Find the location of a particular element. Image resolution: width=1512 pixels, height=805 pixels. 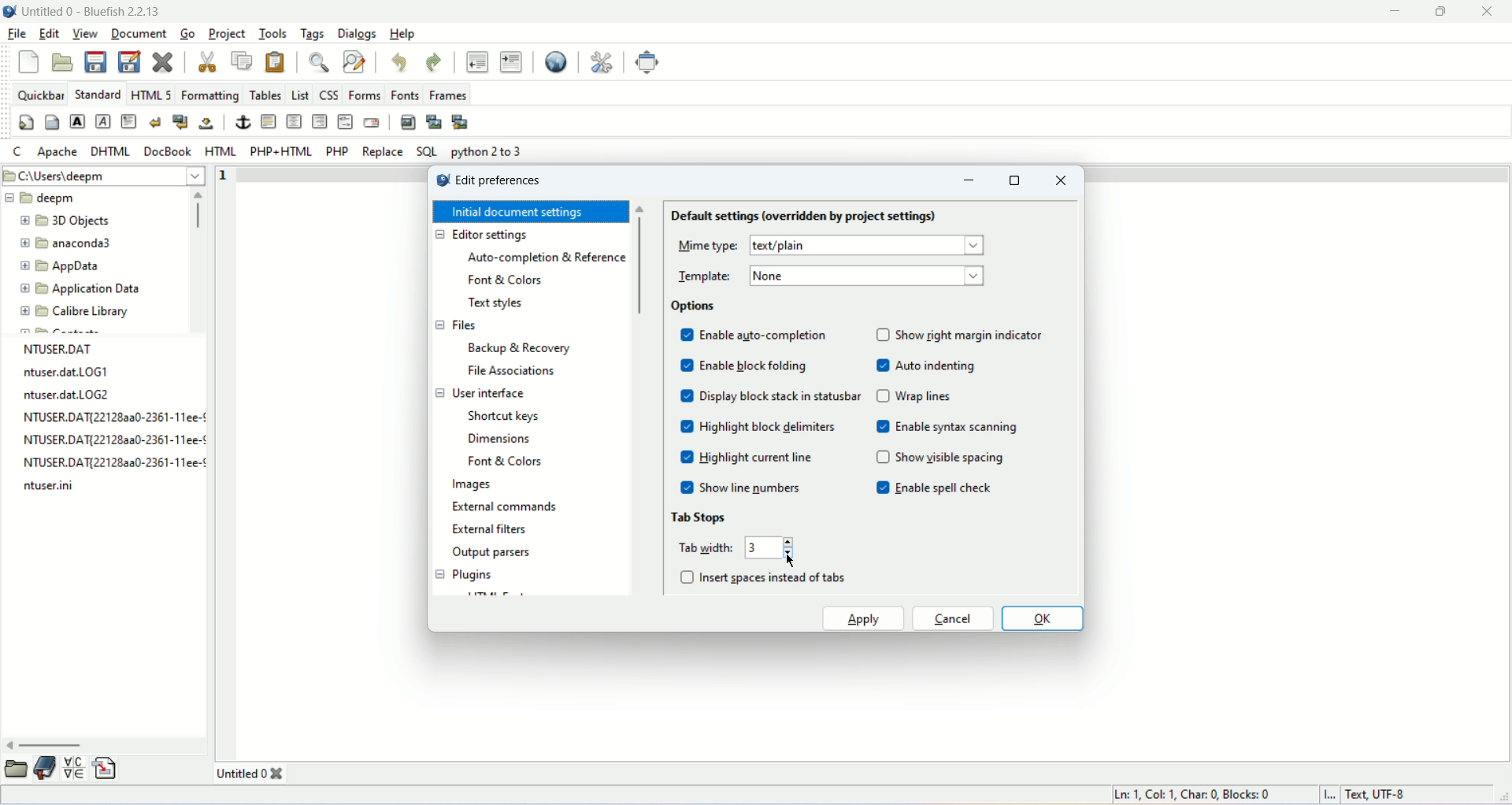

break is located at coordinates (152, 122).